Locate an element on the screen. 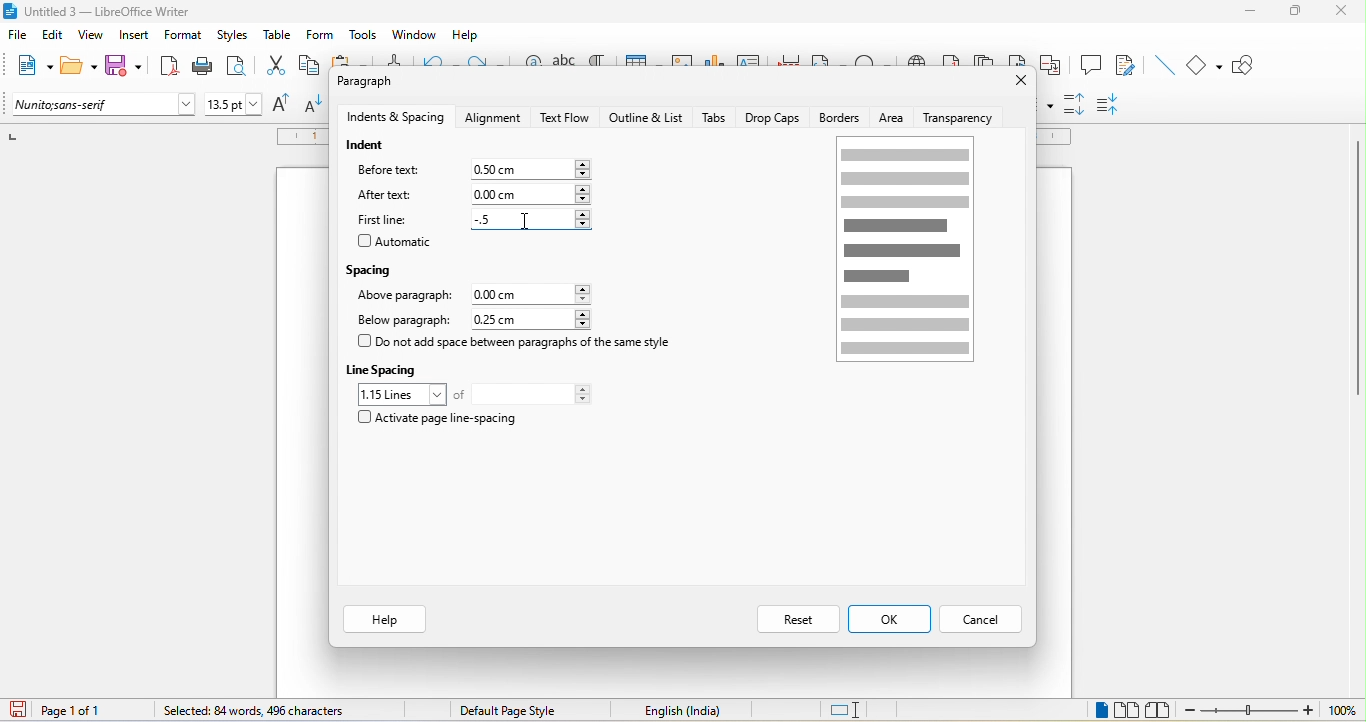 Image resolution: width=1366 pixels, height=722 pixels. book view is located at coordinates (1162, 710).